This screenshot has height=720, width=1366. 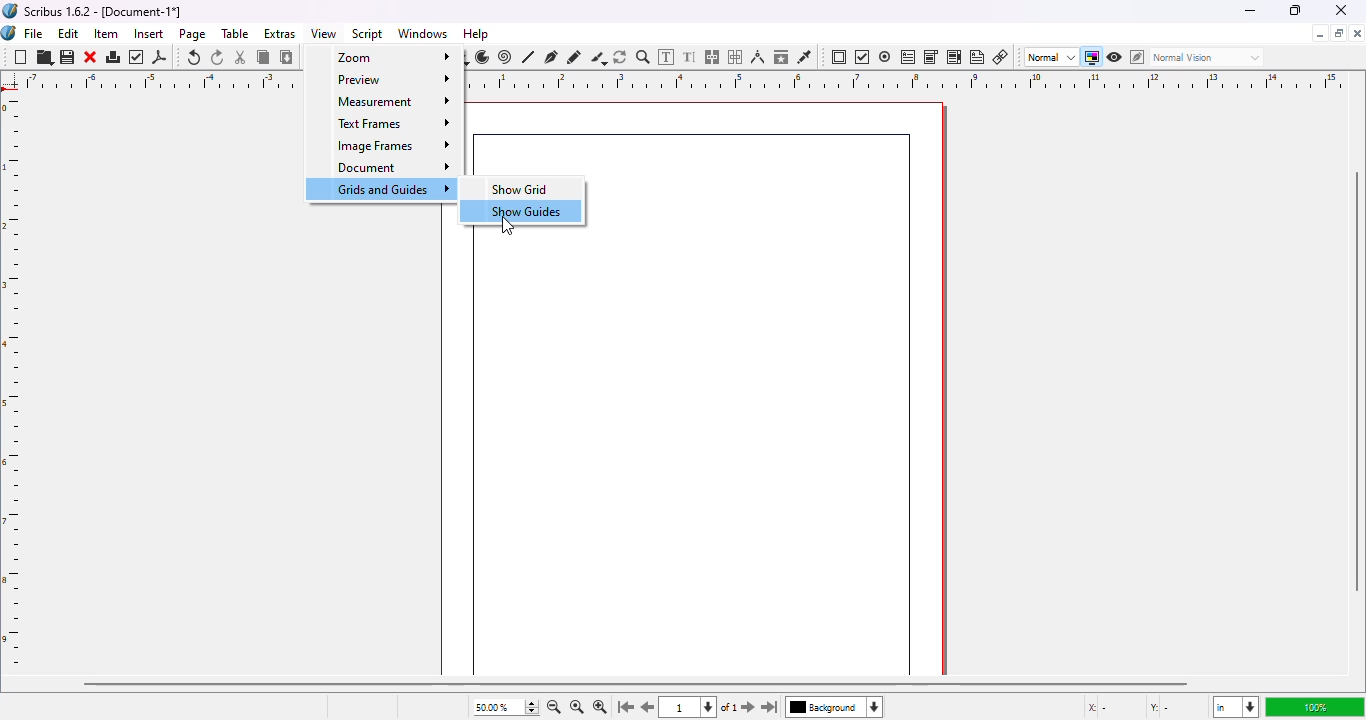 What do you see at coordinates (1137, 57) in the screenshot?
I see `edit in preview mode` at bounding box center [1137, 57].